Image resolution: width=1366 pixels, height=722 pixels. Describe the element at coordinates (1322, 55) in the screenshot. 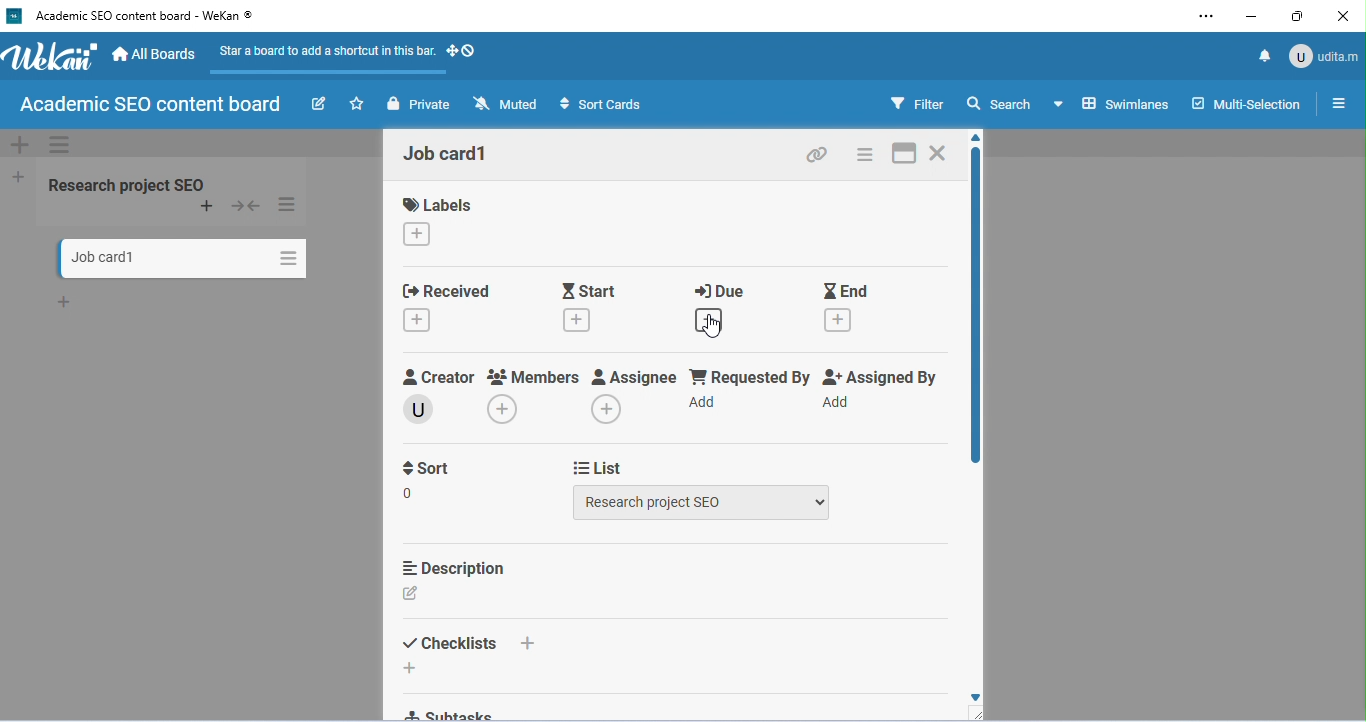

I see `admin: udita m` at that location.